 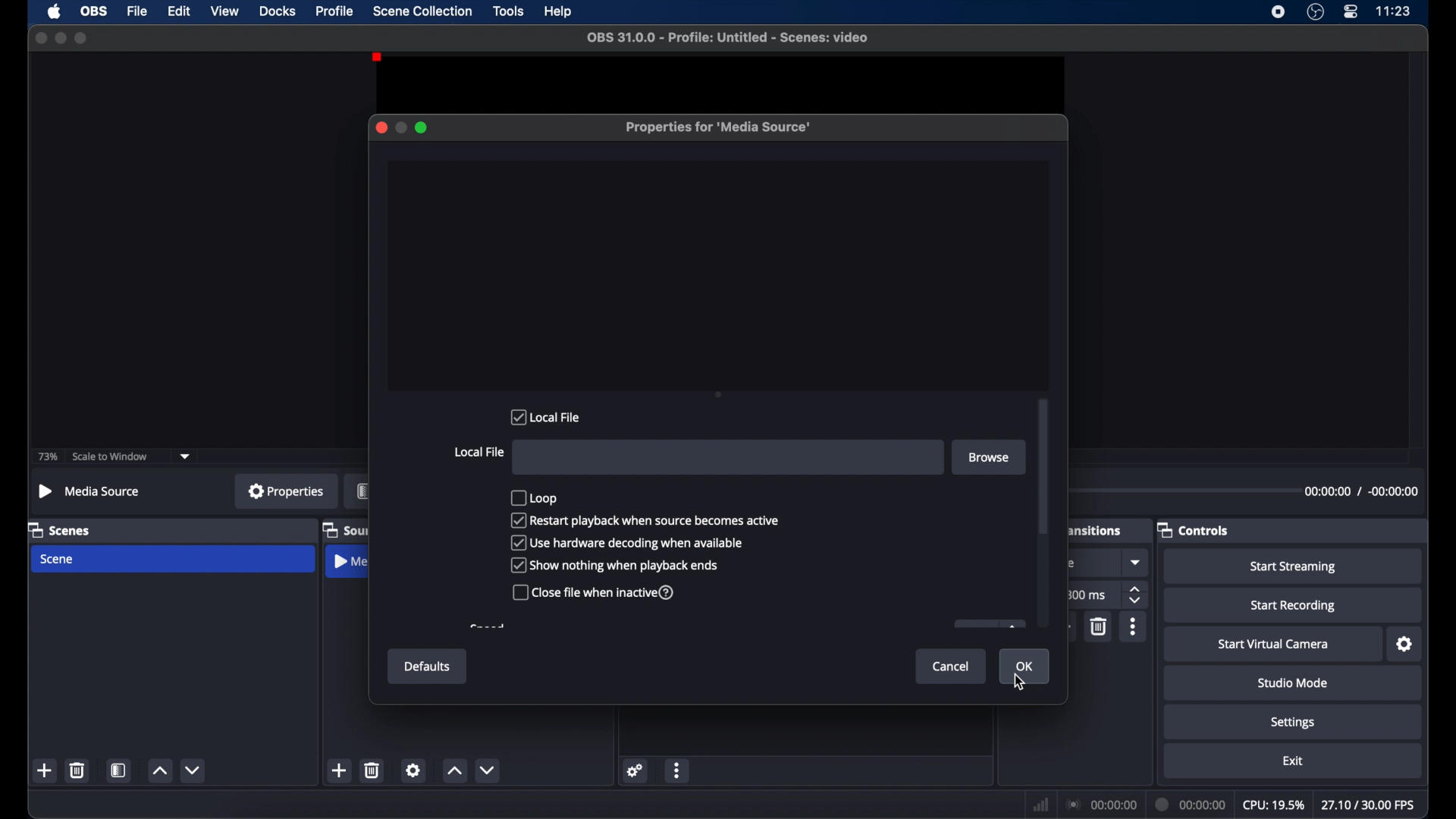 What do you see at coordinates (635, 771) in the screenshot?
I see `settings` at bounding box center [635, 771].